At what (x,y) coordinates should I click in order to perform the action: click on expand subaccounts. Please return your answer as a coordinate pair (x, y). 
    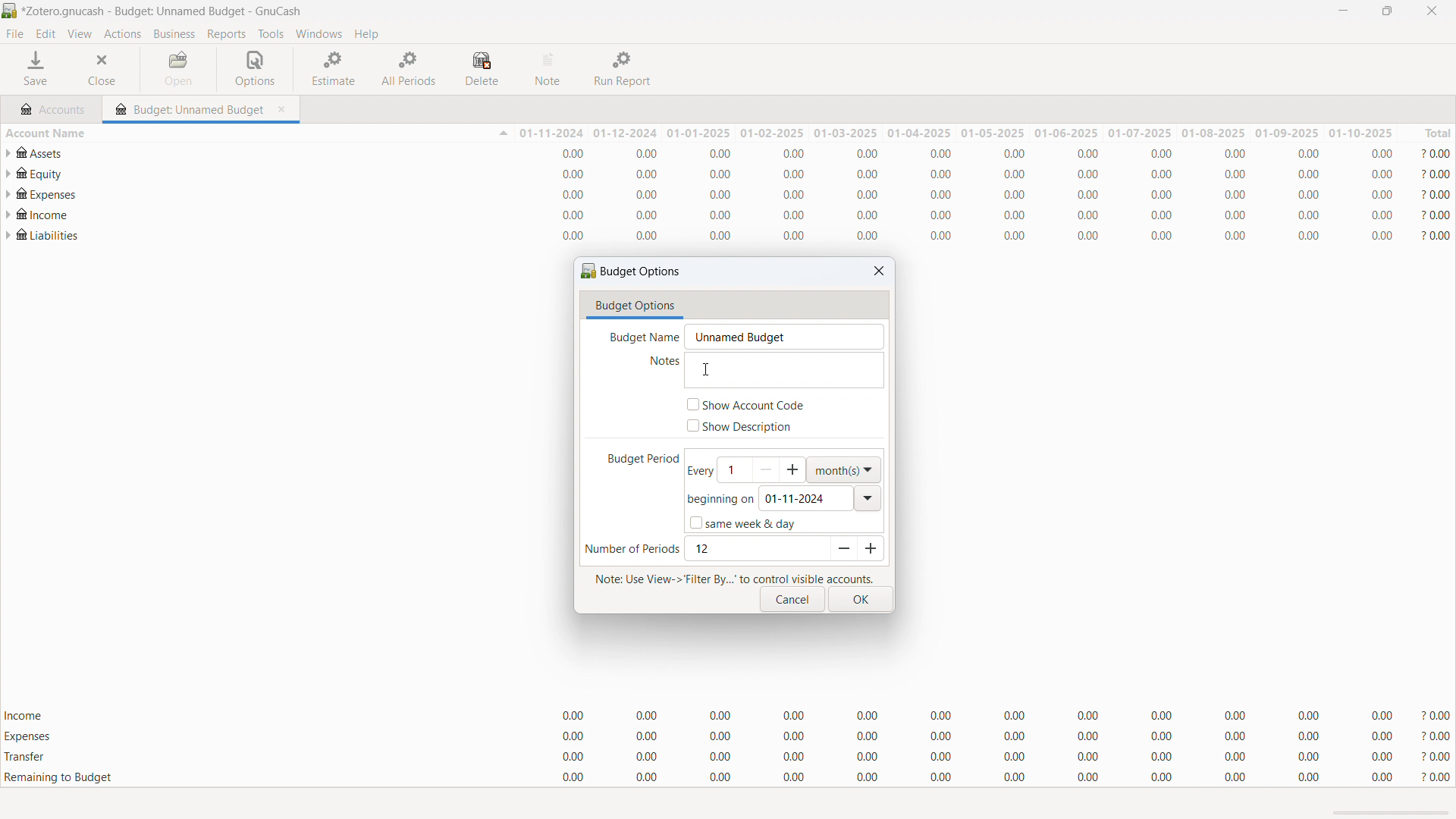
    Looking at the image, I should click on (8, 153).